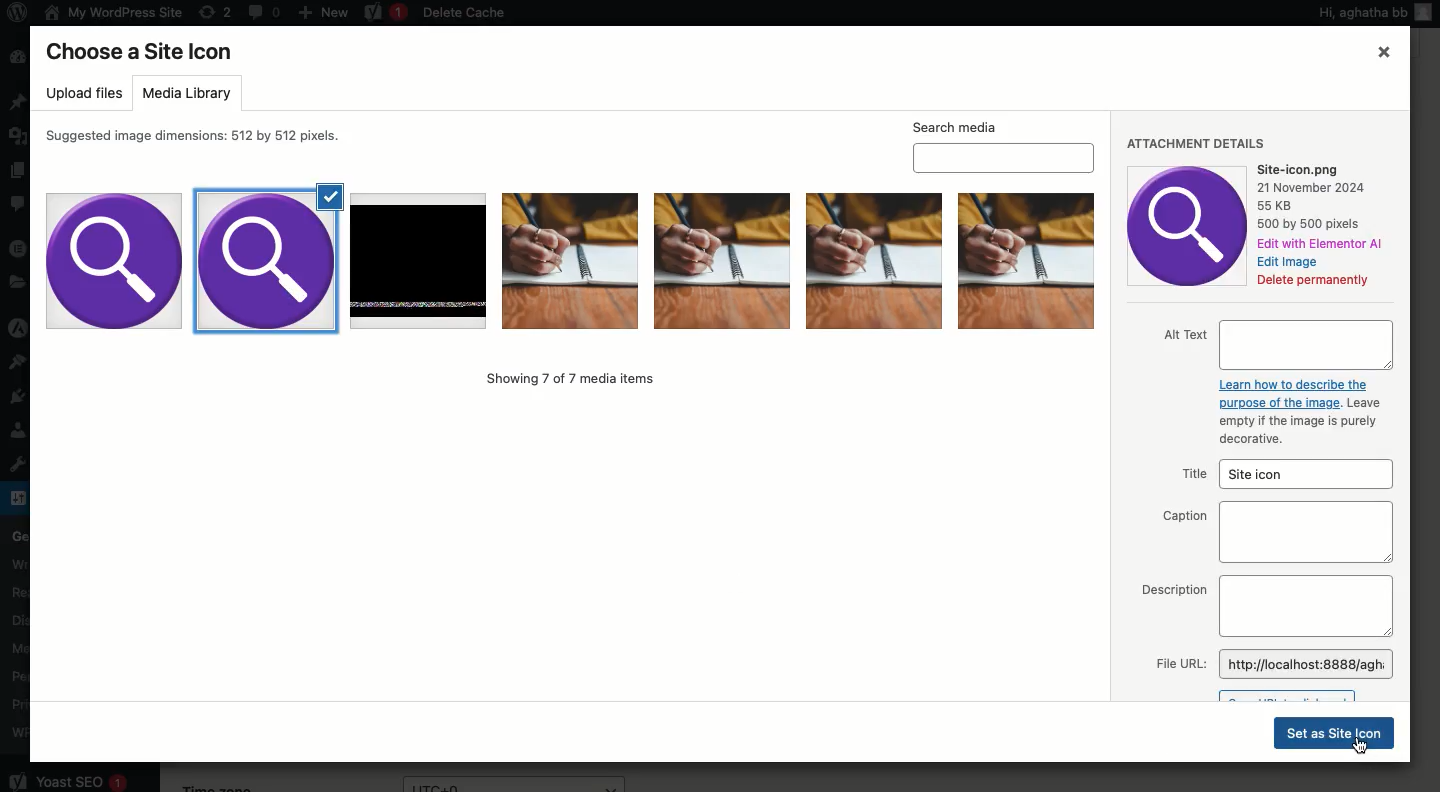 This screenshot has height=792, width=1440. I want to click on Delete cache, so click(466, 14).